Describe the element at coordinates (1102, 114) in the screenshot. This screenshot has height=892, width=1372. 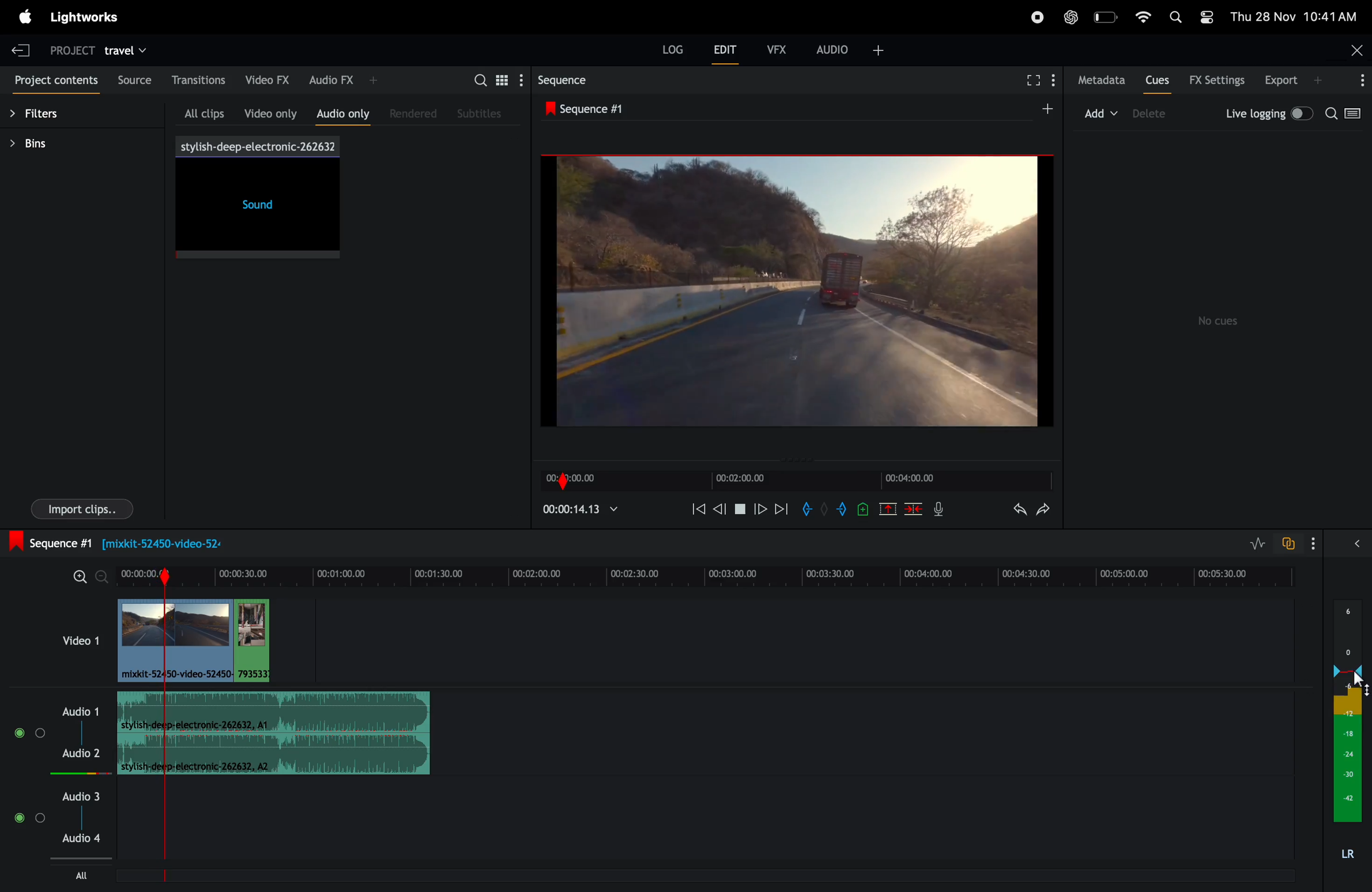
I see `add` at that location.